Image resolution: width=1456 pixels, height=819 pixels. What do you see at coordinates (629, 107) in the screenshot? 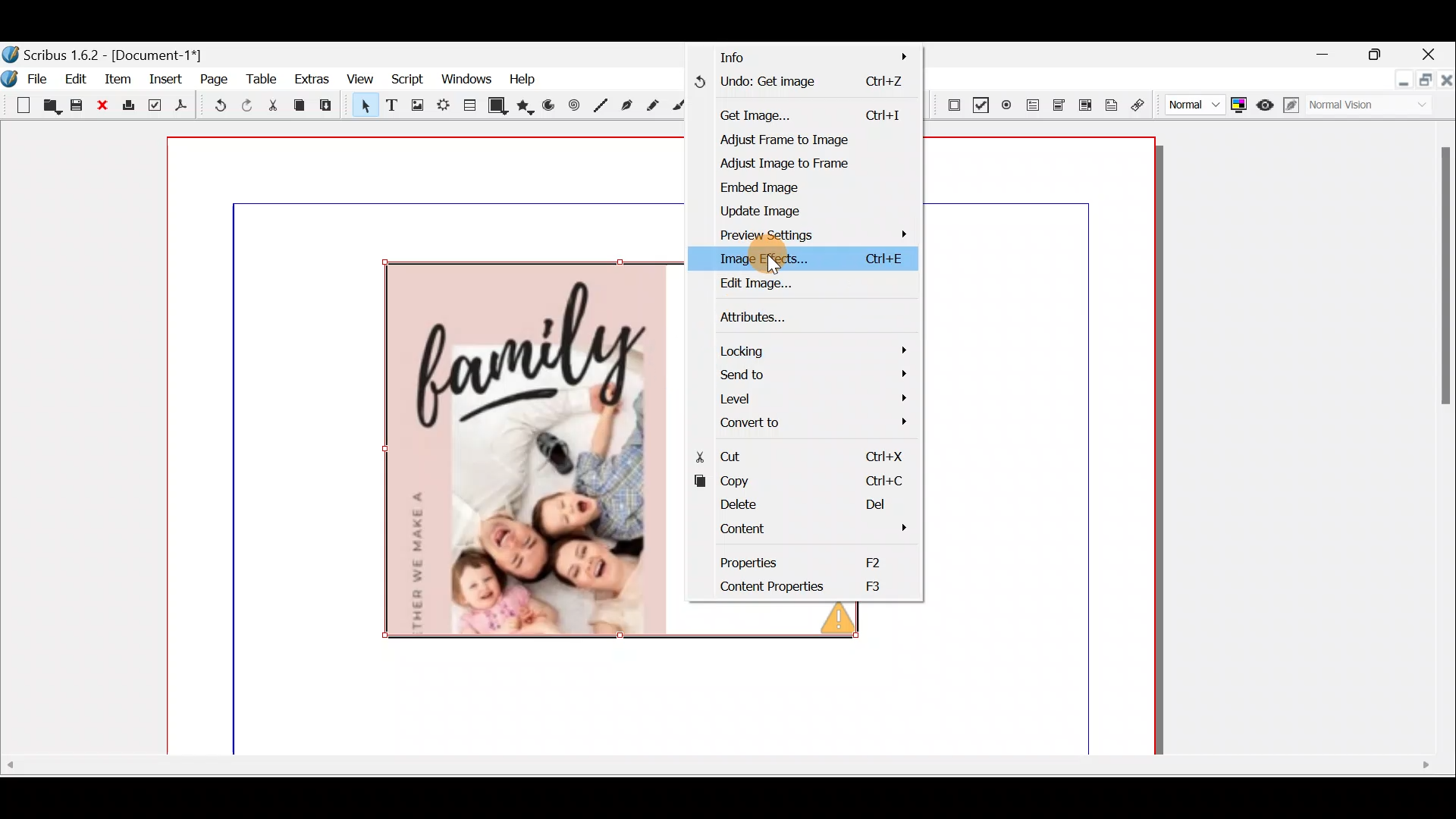
I see `Bezier curve` at bounding box center [629, 107].